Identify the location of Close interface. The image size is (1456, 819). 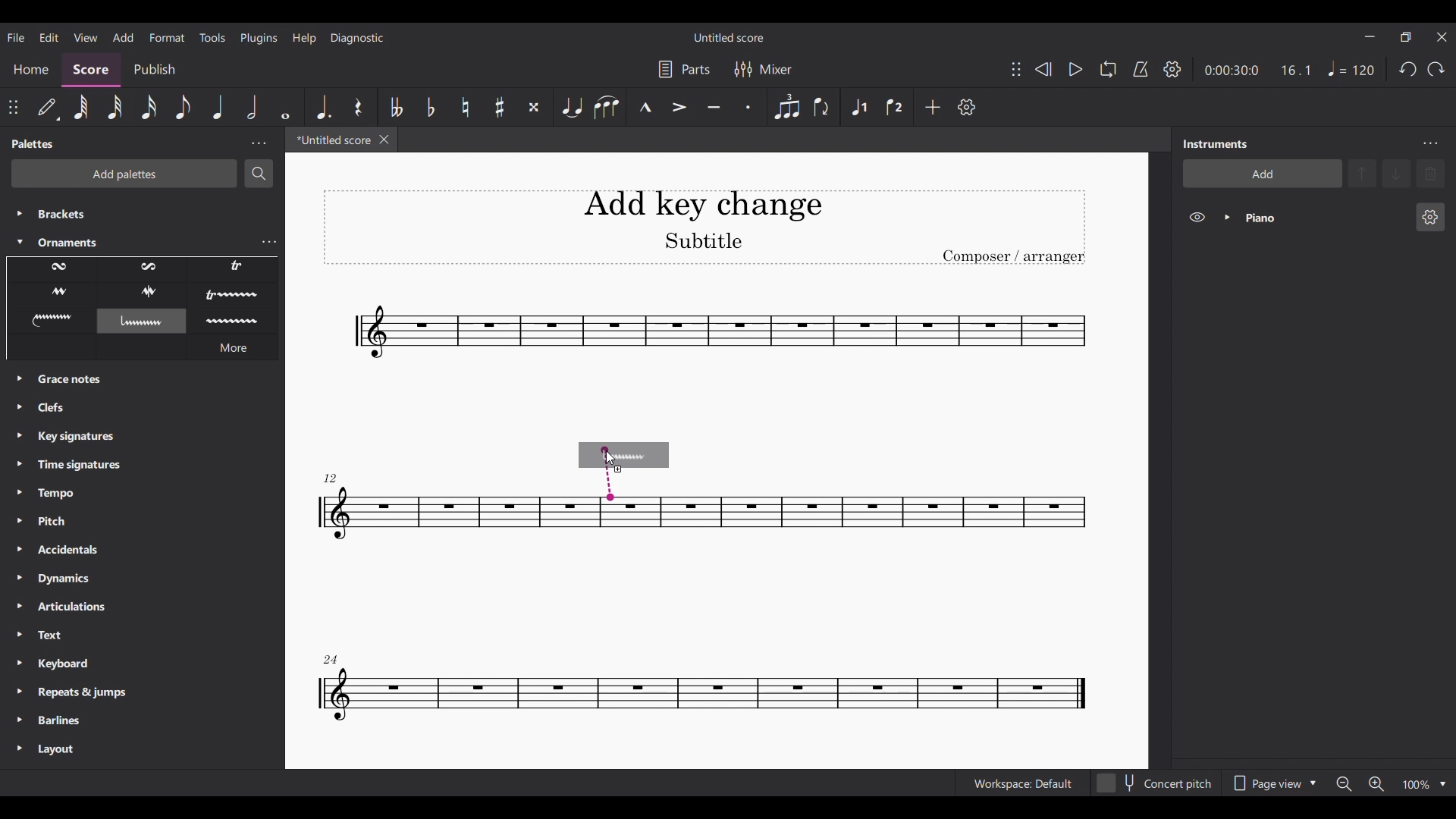
(1442, 38).